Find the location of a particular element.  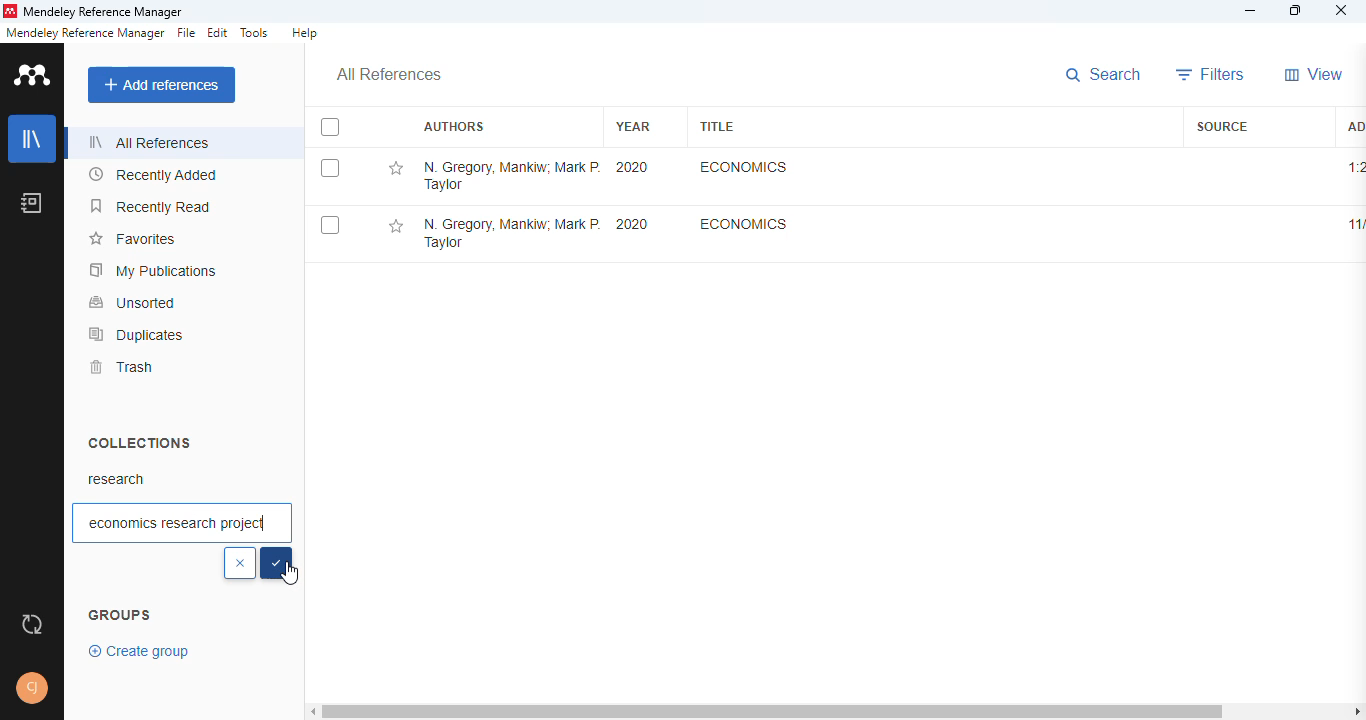

duplicates is located at coordinates (137, 334).